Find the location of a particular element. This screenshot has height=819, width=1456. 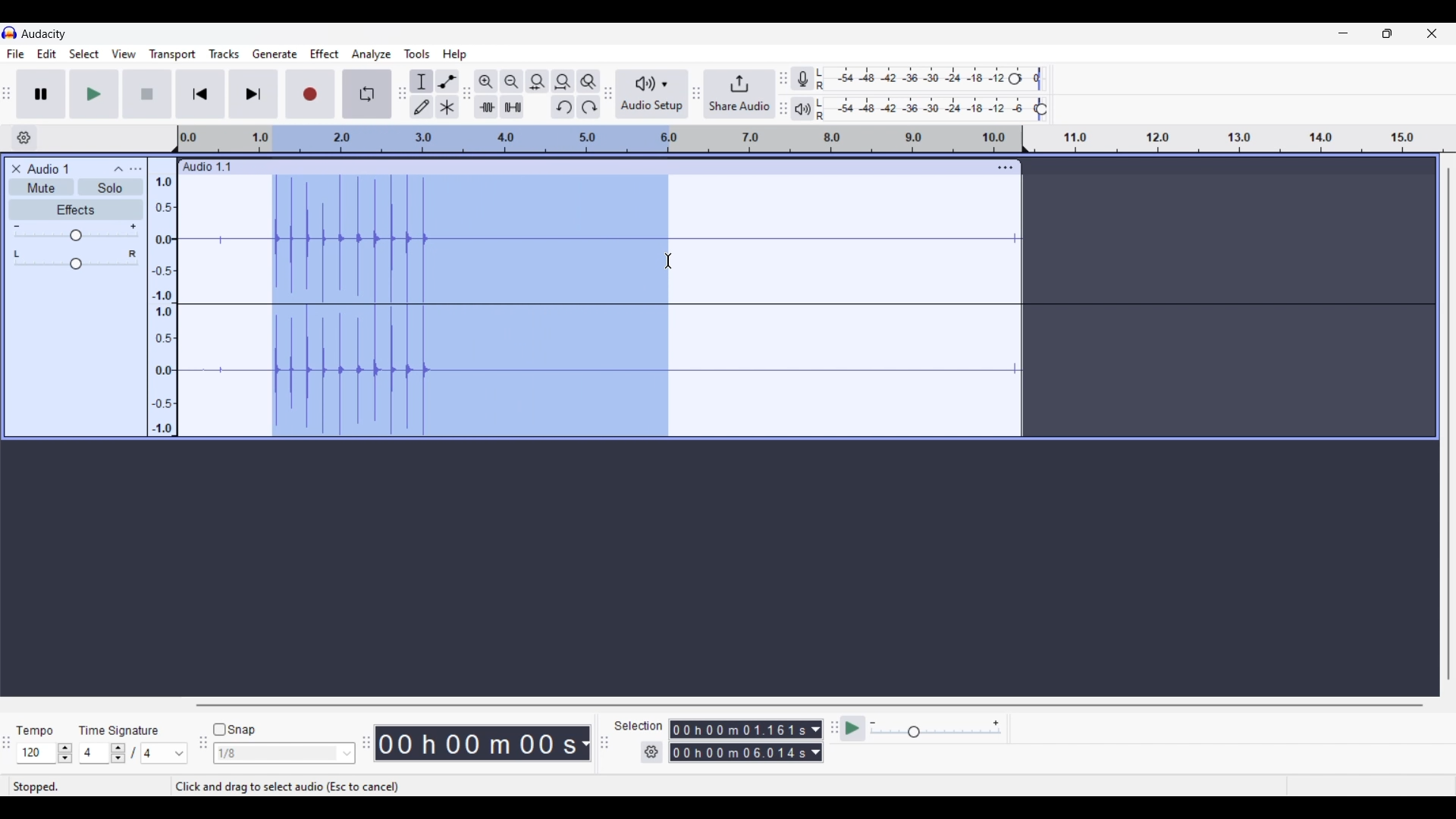

Minimize is located at coordinates (1343, 33).